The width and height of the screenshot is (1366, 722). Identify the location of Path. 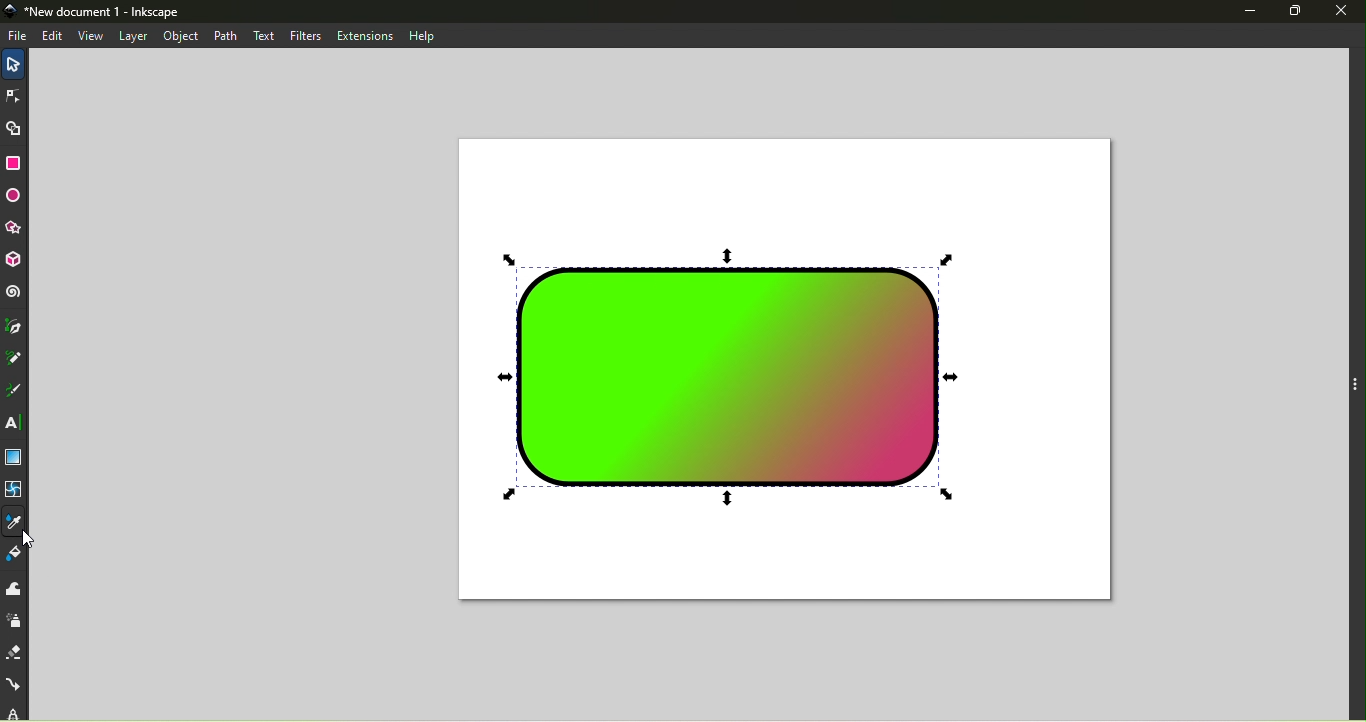
(230, 36).